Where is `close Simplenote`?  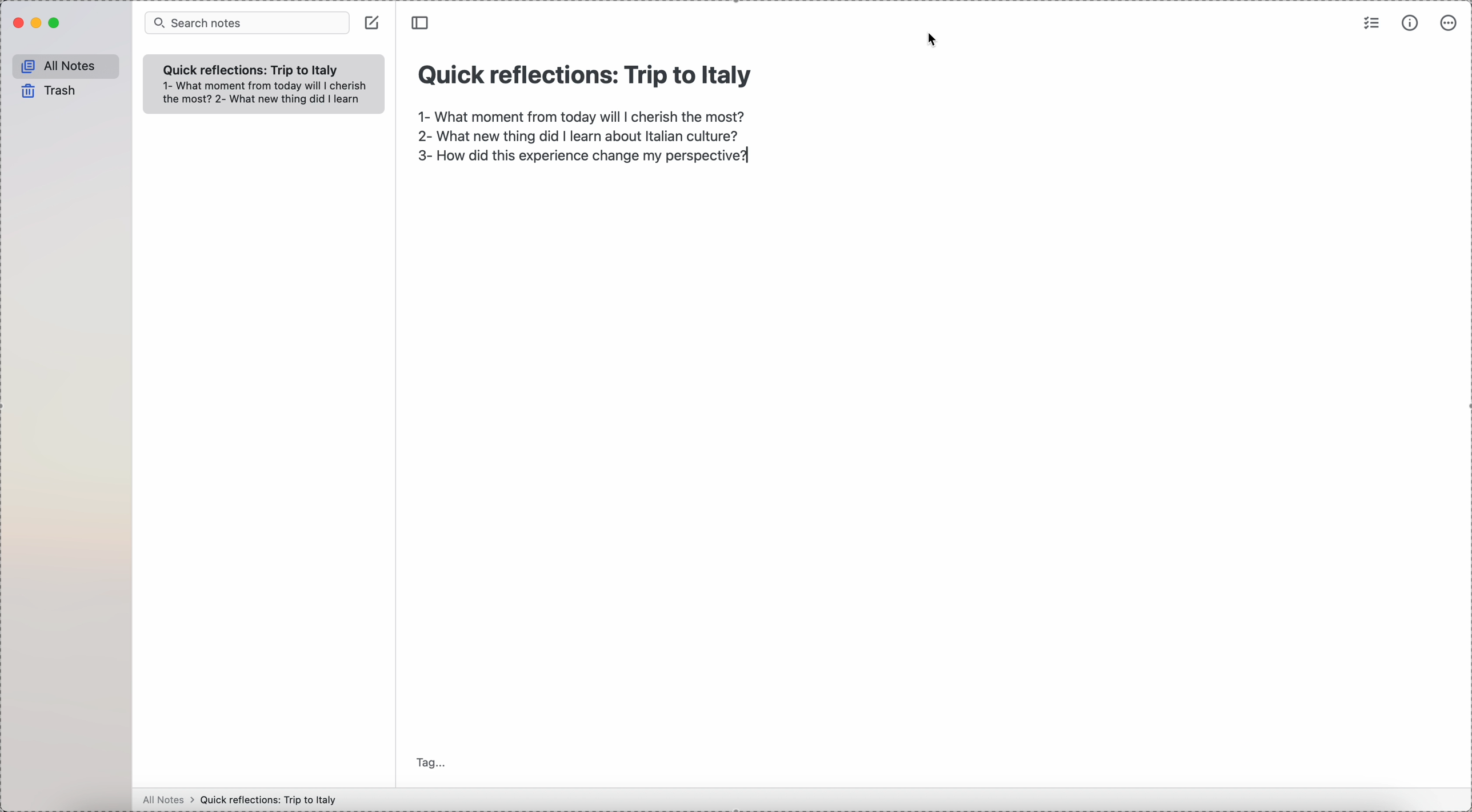
close Simplenote is located at coordinates (17, 23).